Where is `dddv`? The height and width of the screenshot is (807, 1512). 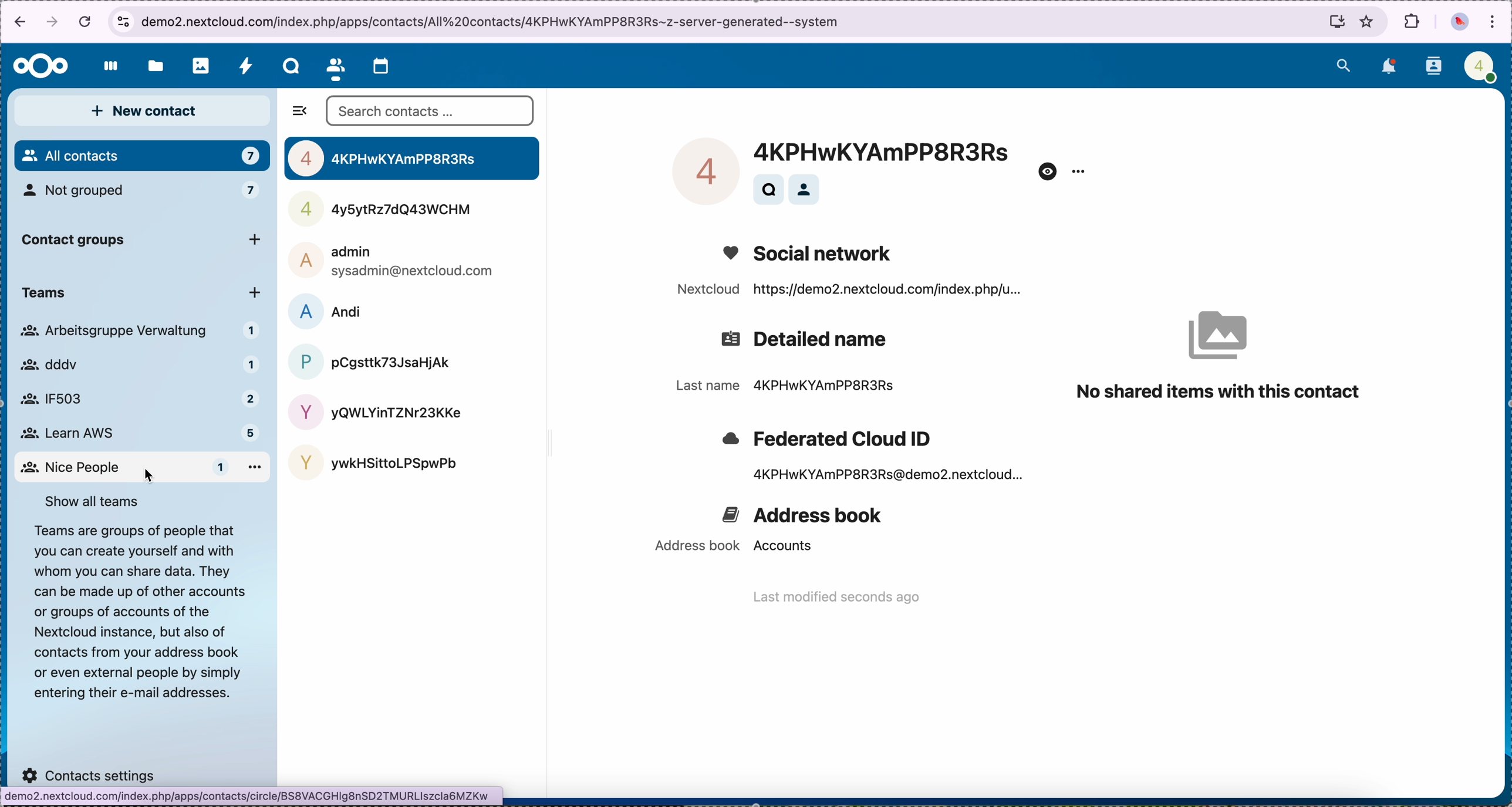 dddv is located at coordinates (139, 365).